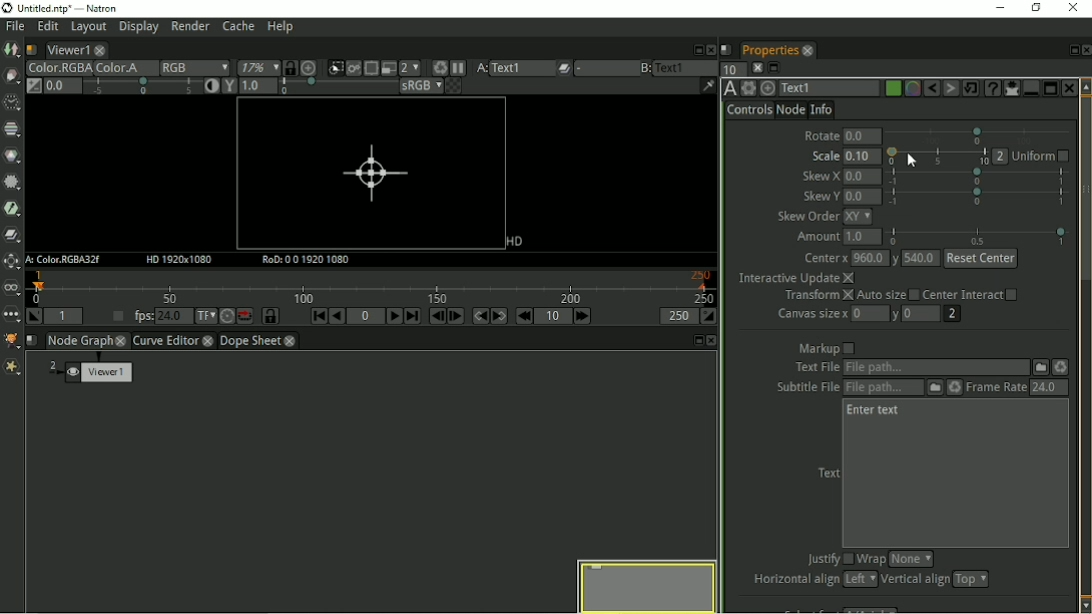 The height and width of the screenshot is (614, 1092). Describe the element at coordinates (227, 316) in the screenshot. I see `Turbo mode` at that location.